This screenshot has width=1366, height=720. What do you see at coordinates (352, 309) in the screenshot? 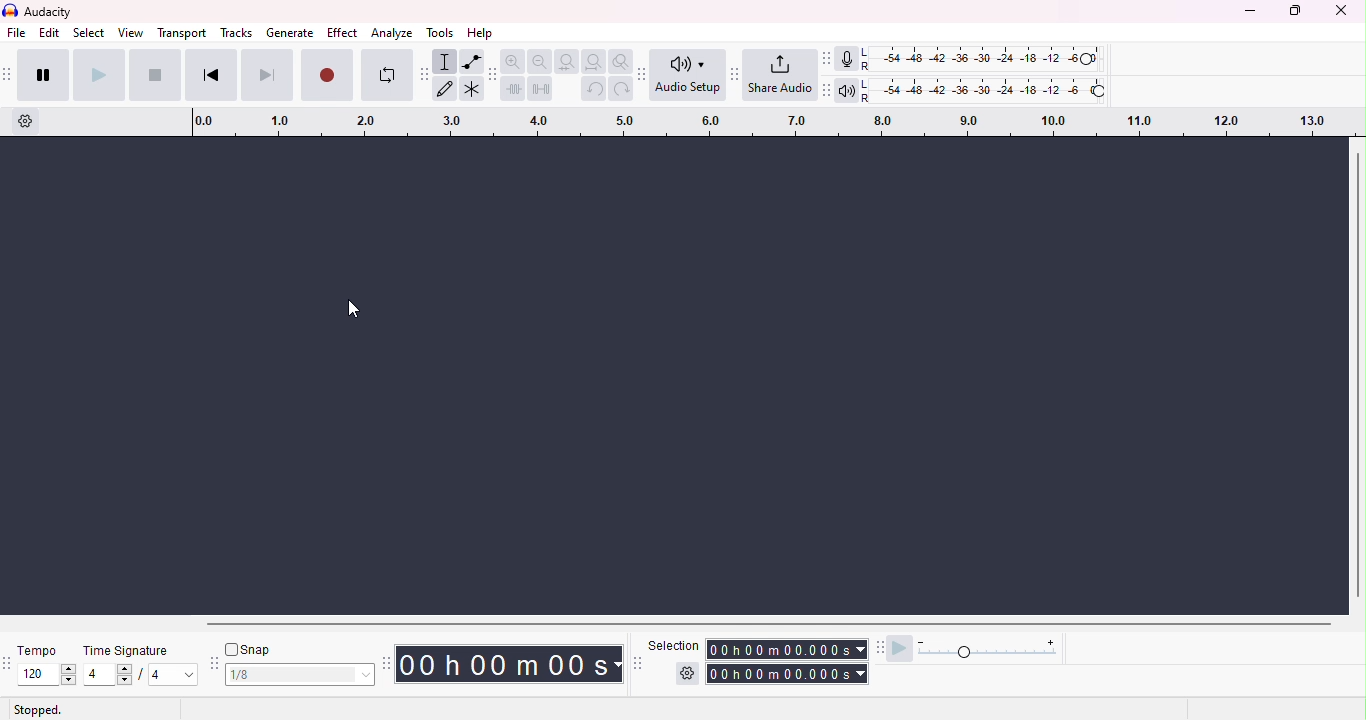
I see `cursor` at bounding box center [352, 309].